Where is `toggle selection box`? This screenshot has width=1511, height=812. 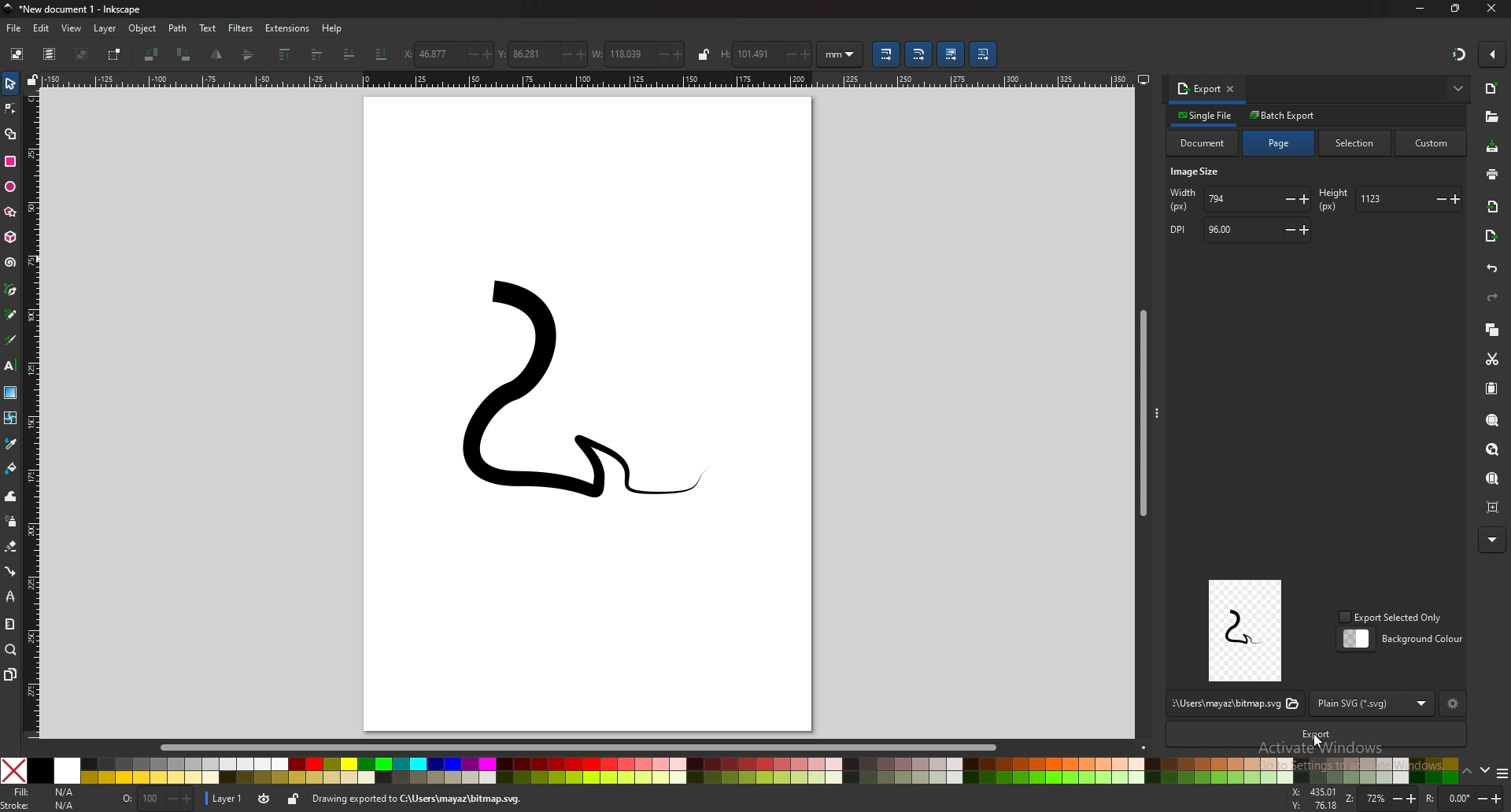 toggle selection box is located at coordinates (116, 54).